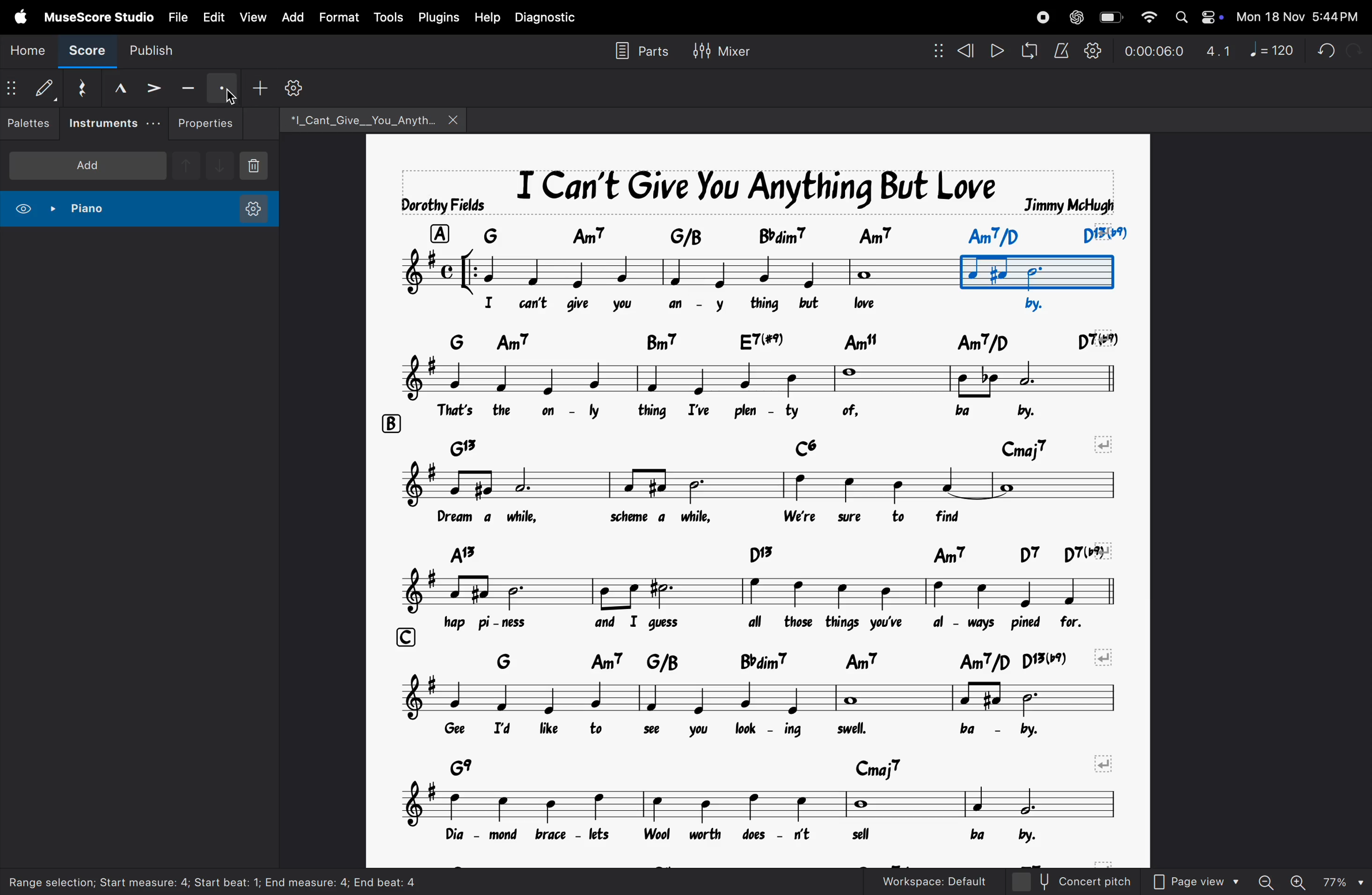 This screenshot has width=1372, height=895. Describe the element at coordinates (300, 86) in the screenshot. I see ` customize toolbar` at that location.